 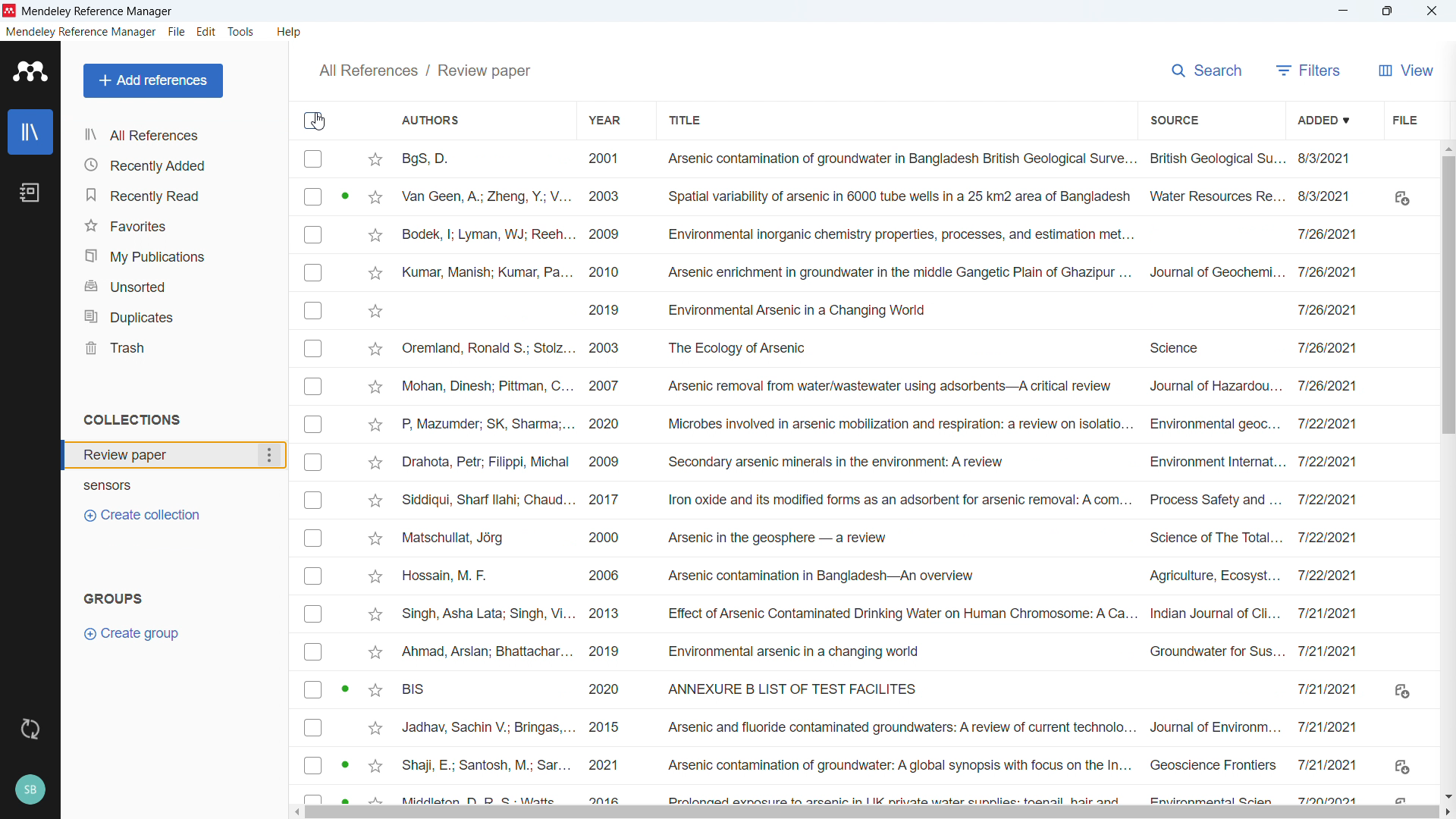 What do you see at coordinates (30, 131) in the screenshot?
I see `Library ` at bounding box center [30, 131].